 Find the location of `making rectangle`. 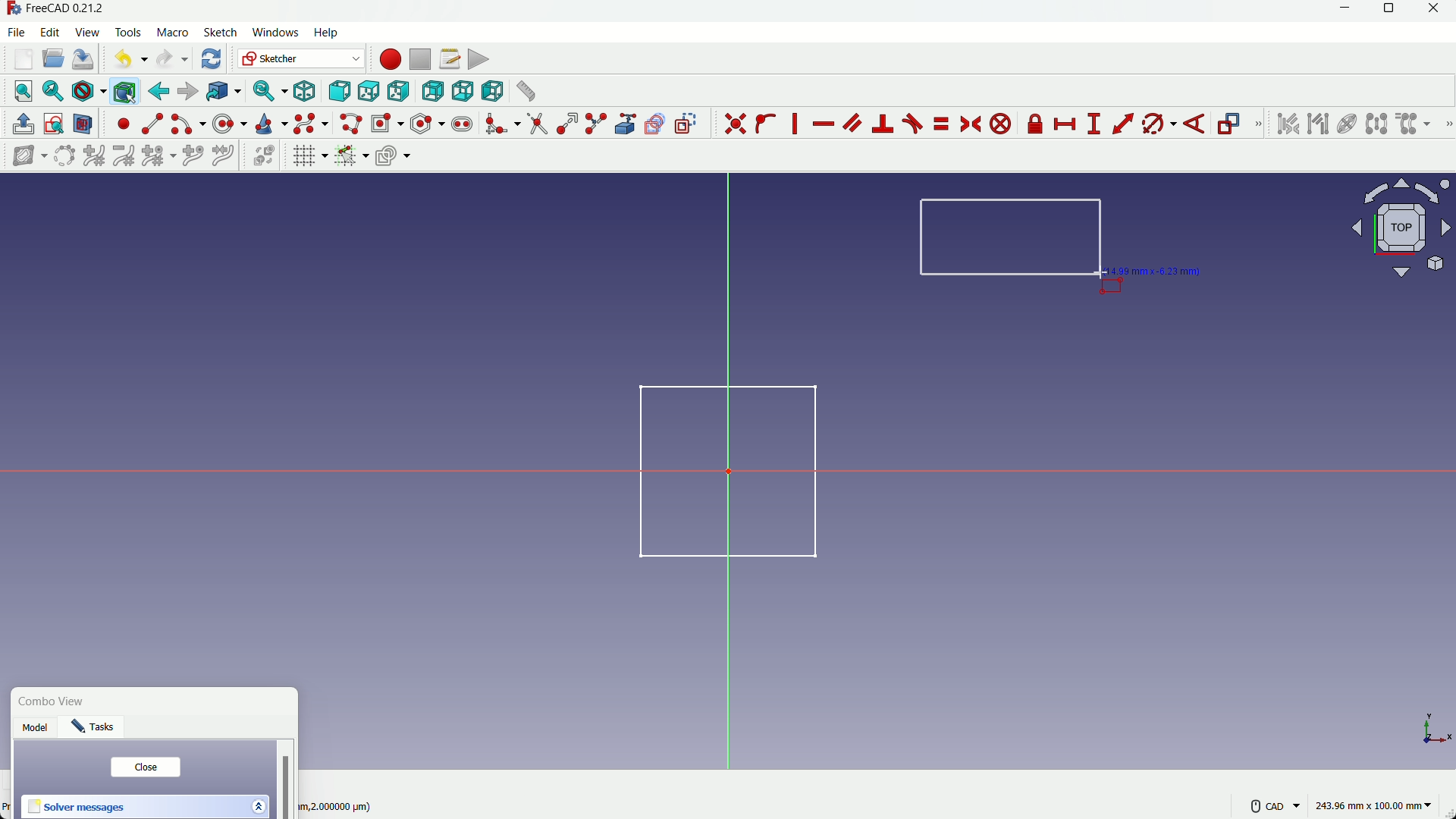

making rectangle is located at coordinates (1012, 239).